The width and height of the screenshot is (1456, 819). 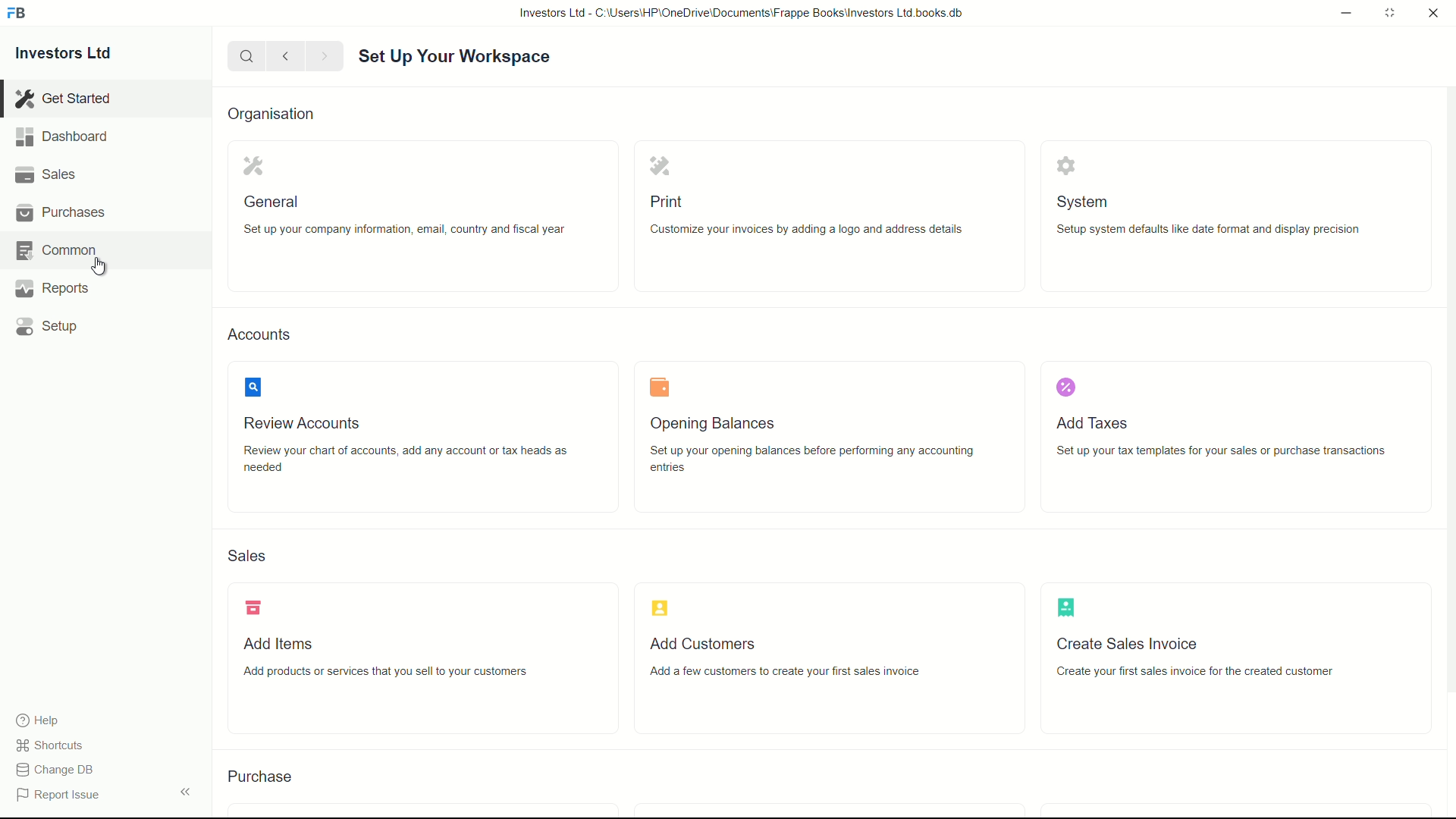 What do you see at coordinates (1389, 11) in the screenshot?
I see `maximize` at bounding box center [1389, 11].